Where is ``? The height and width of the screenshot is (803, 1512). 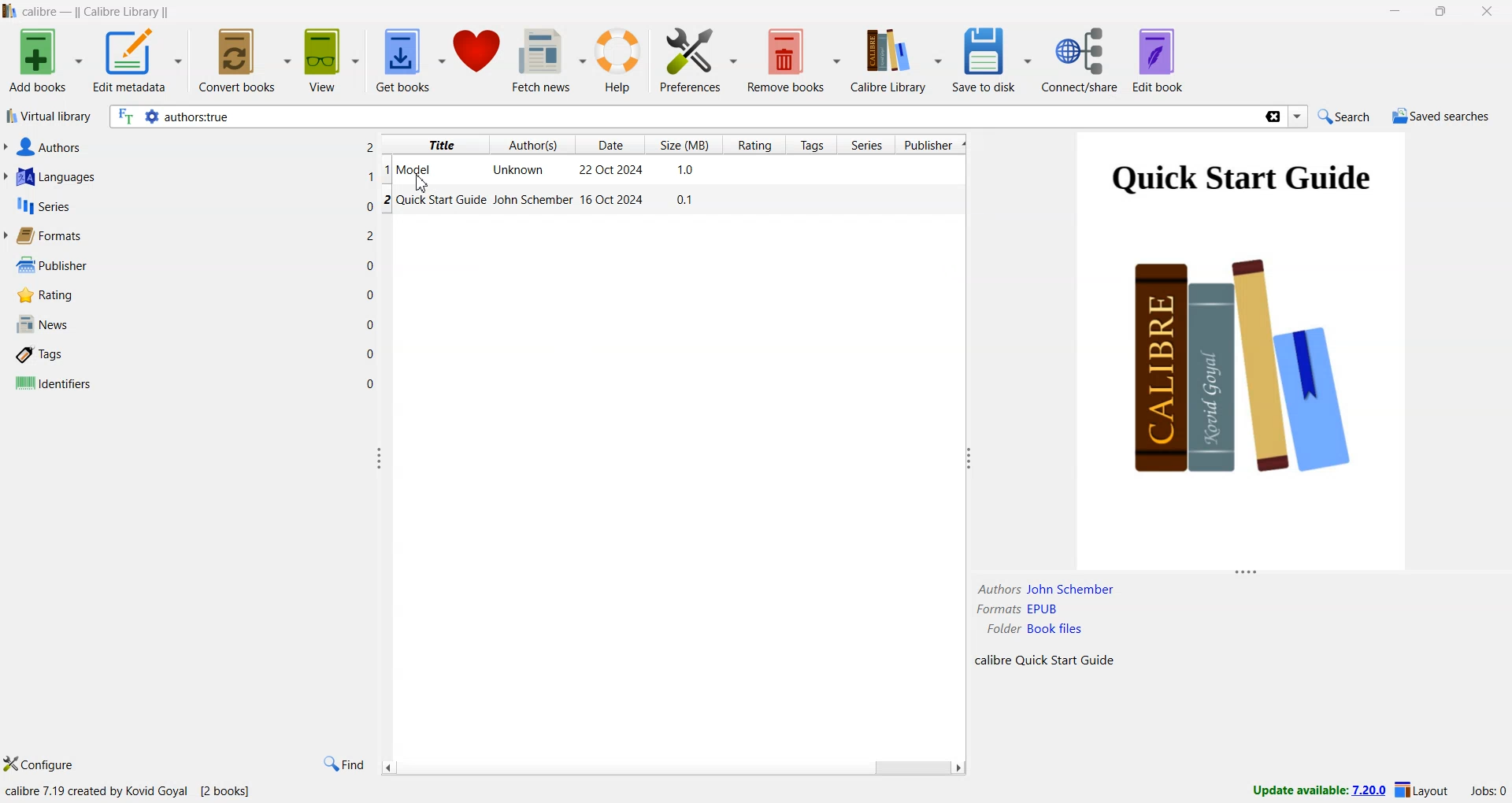
 is located at coordinates (370, 146).